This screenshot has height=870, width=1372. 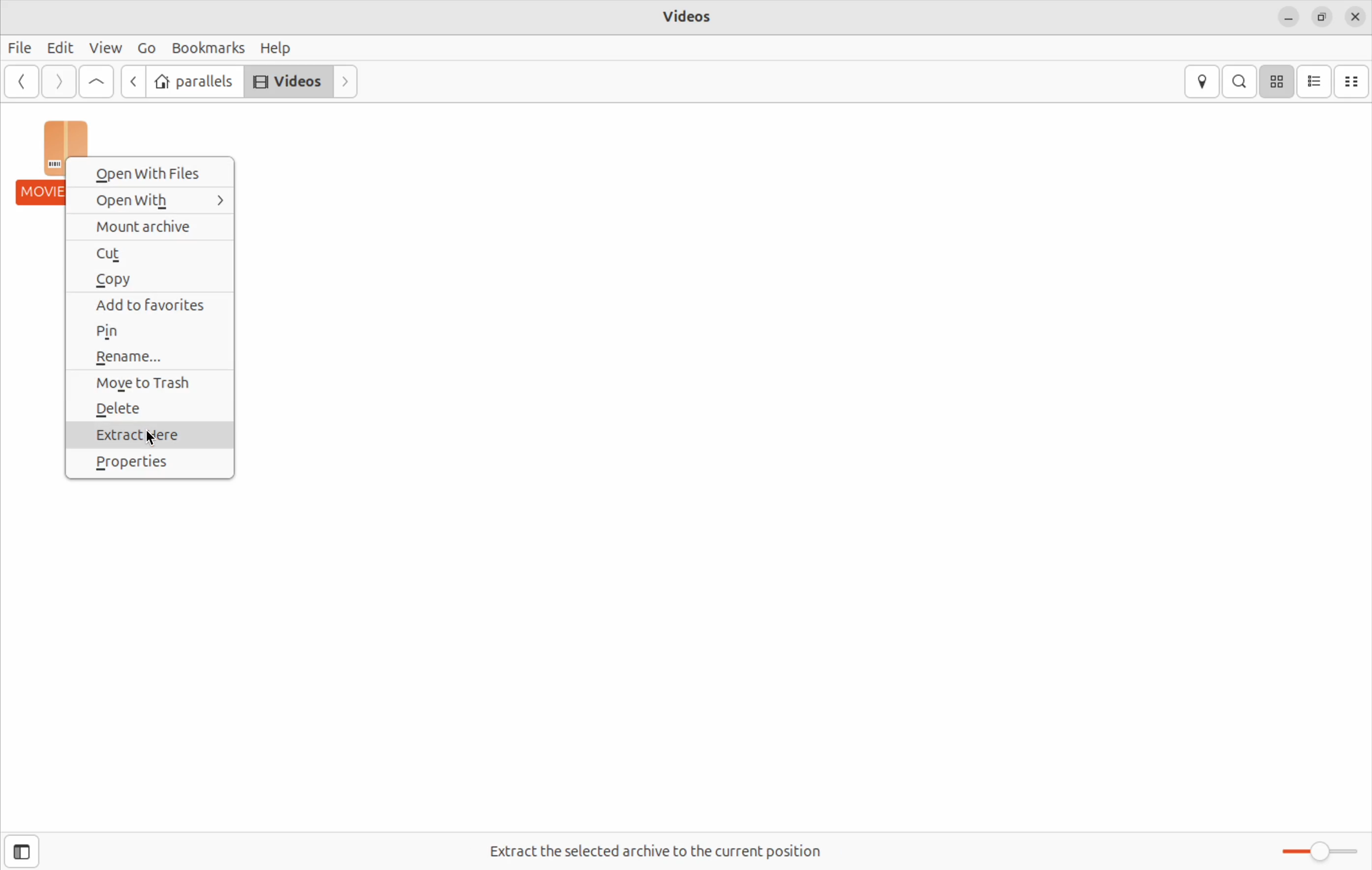 I want to click on free spaces, so click(x=651, y=852).